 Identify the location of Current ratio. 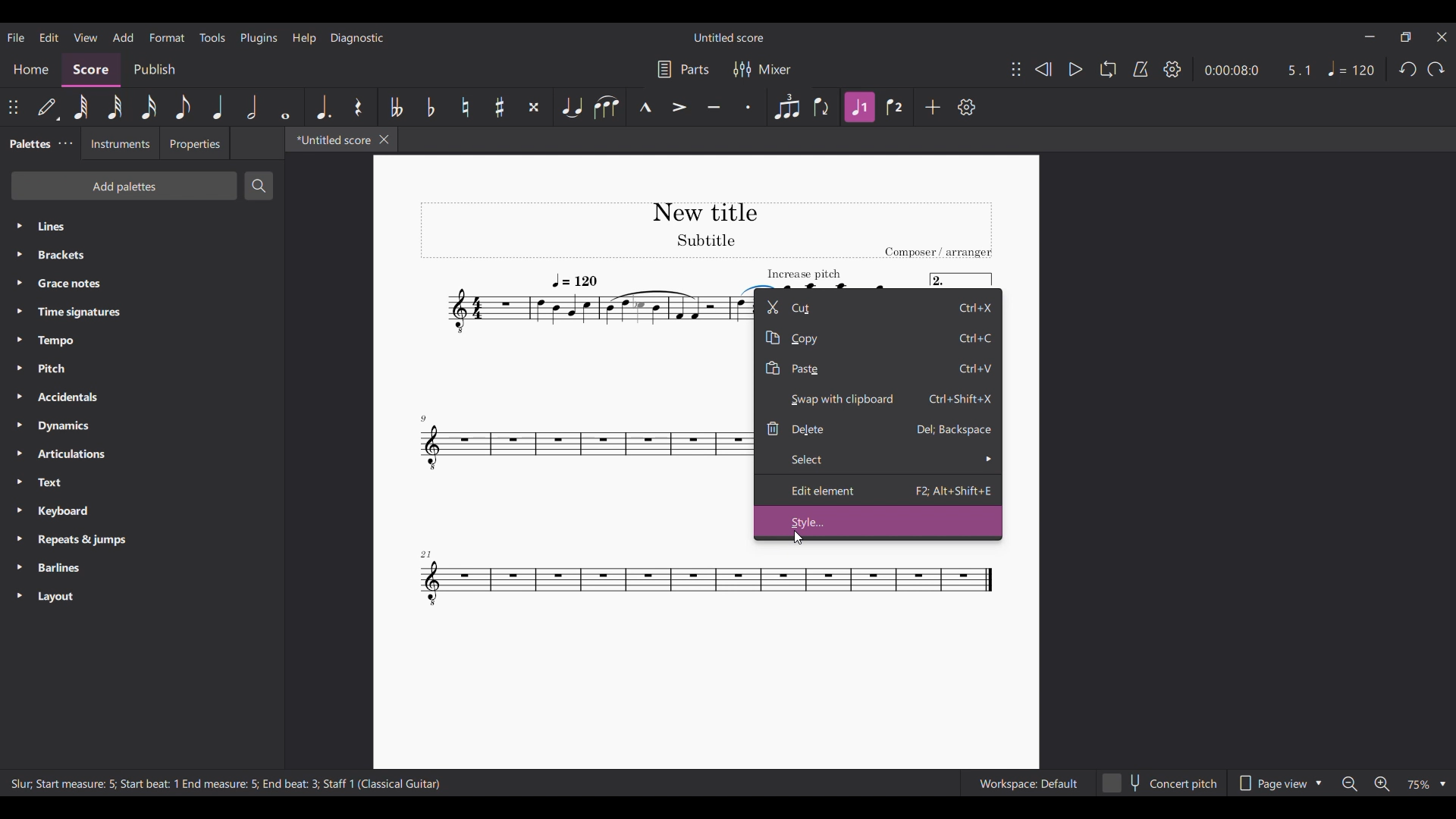
(1299, 70).